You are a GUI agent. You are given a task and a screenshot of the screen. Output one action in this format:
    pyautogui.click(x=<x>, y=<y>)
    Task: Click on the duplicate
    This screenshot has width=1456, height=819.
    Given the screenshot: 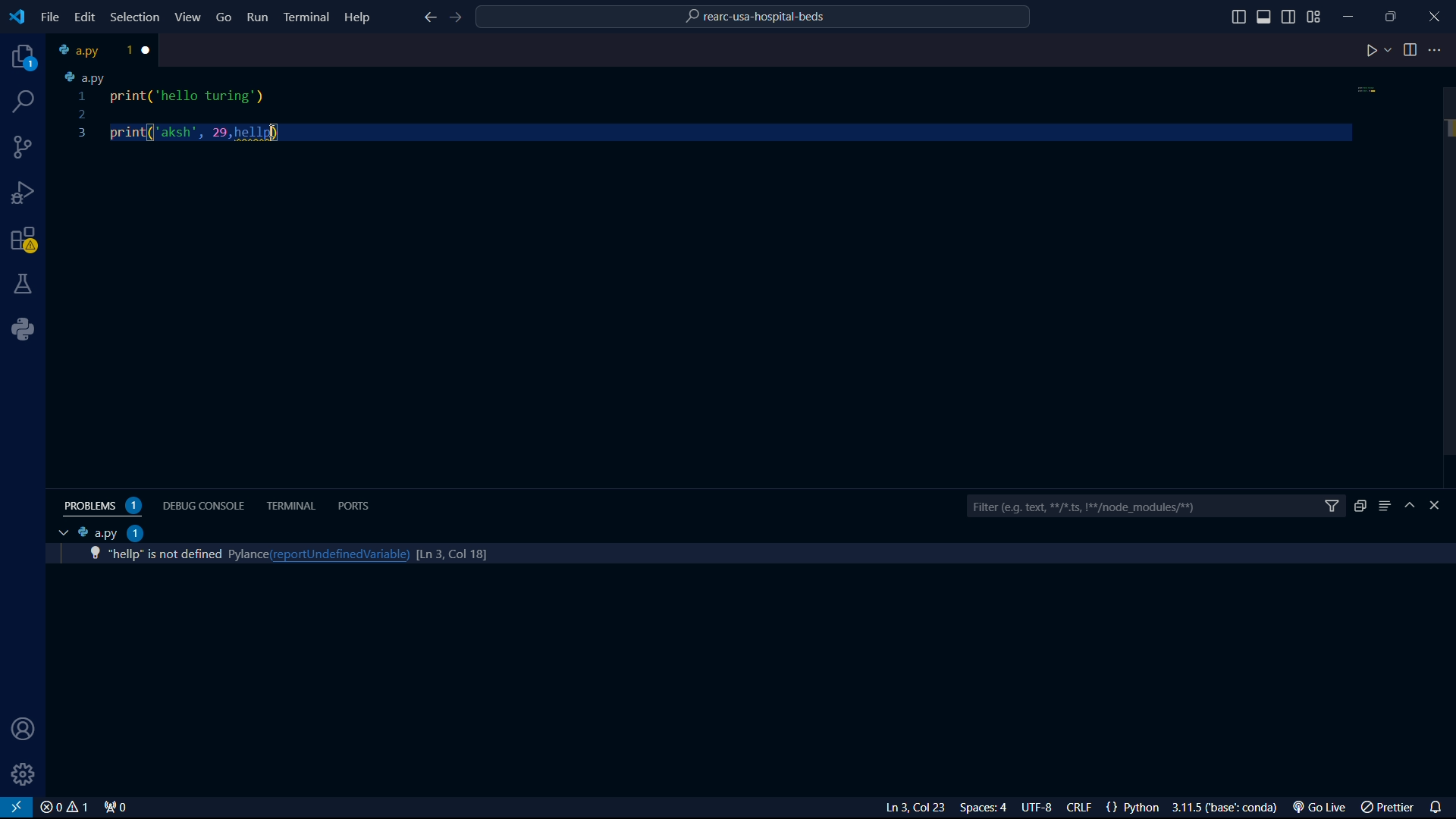 What is the action you would take?
    pyautogui.click(x=1360, y=506)
    